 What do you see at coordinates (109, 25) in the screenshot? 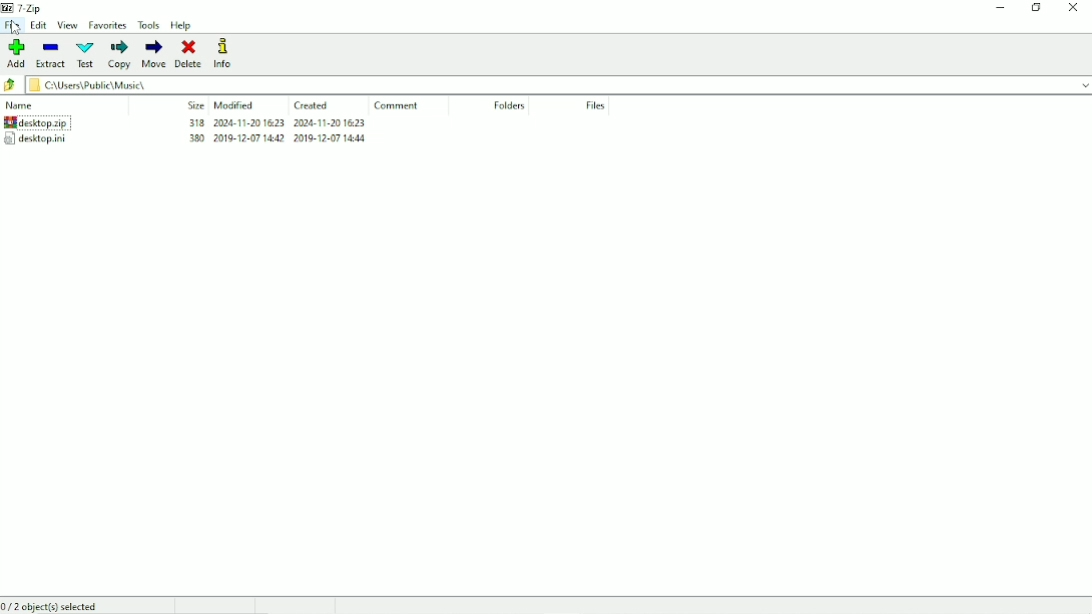
I see `Favorites` at bounding box center [109, 25].